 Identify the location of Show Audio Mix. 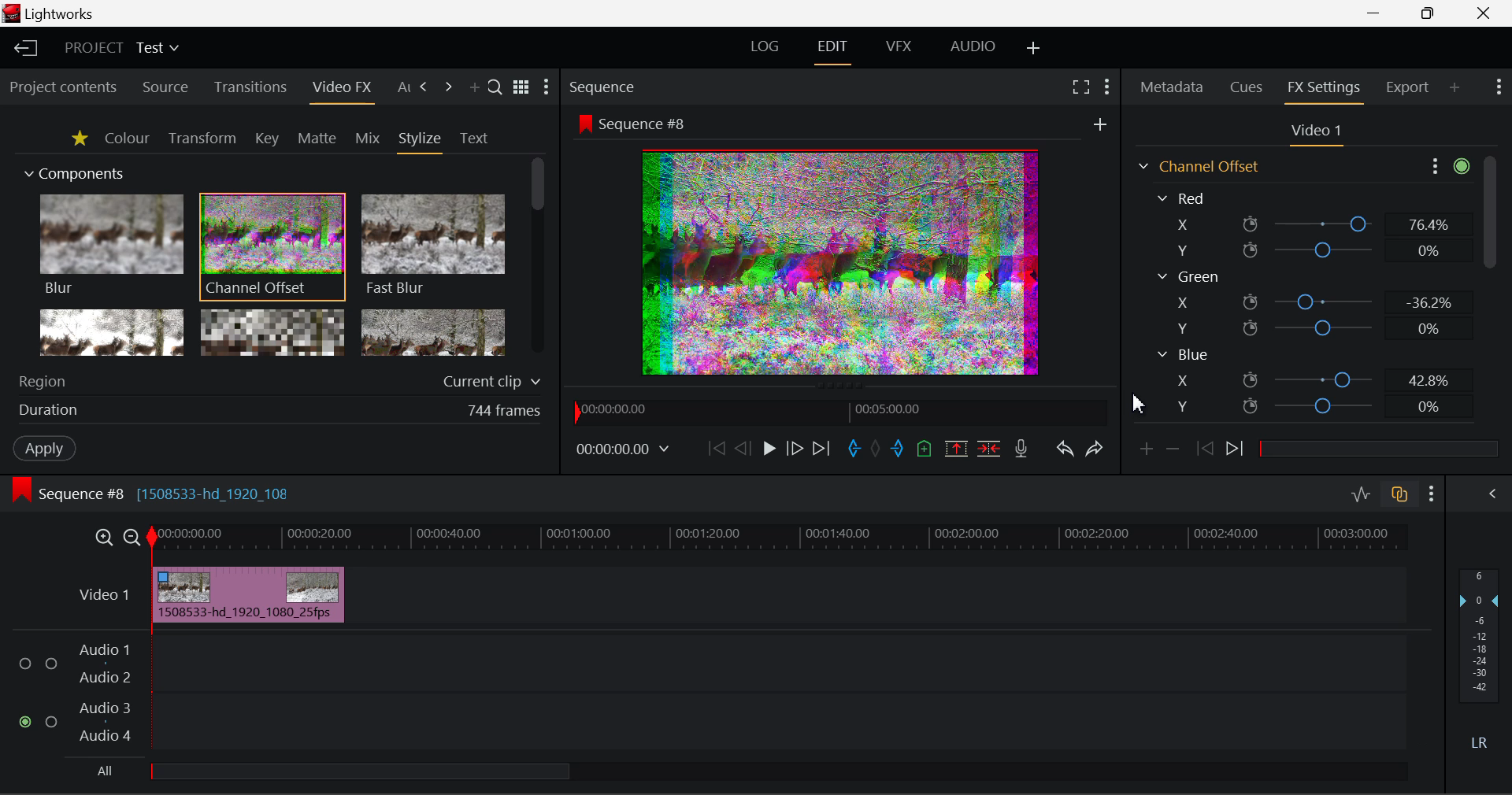
(1484, 494).